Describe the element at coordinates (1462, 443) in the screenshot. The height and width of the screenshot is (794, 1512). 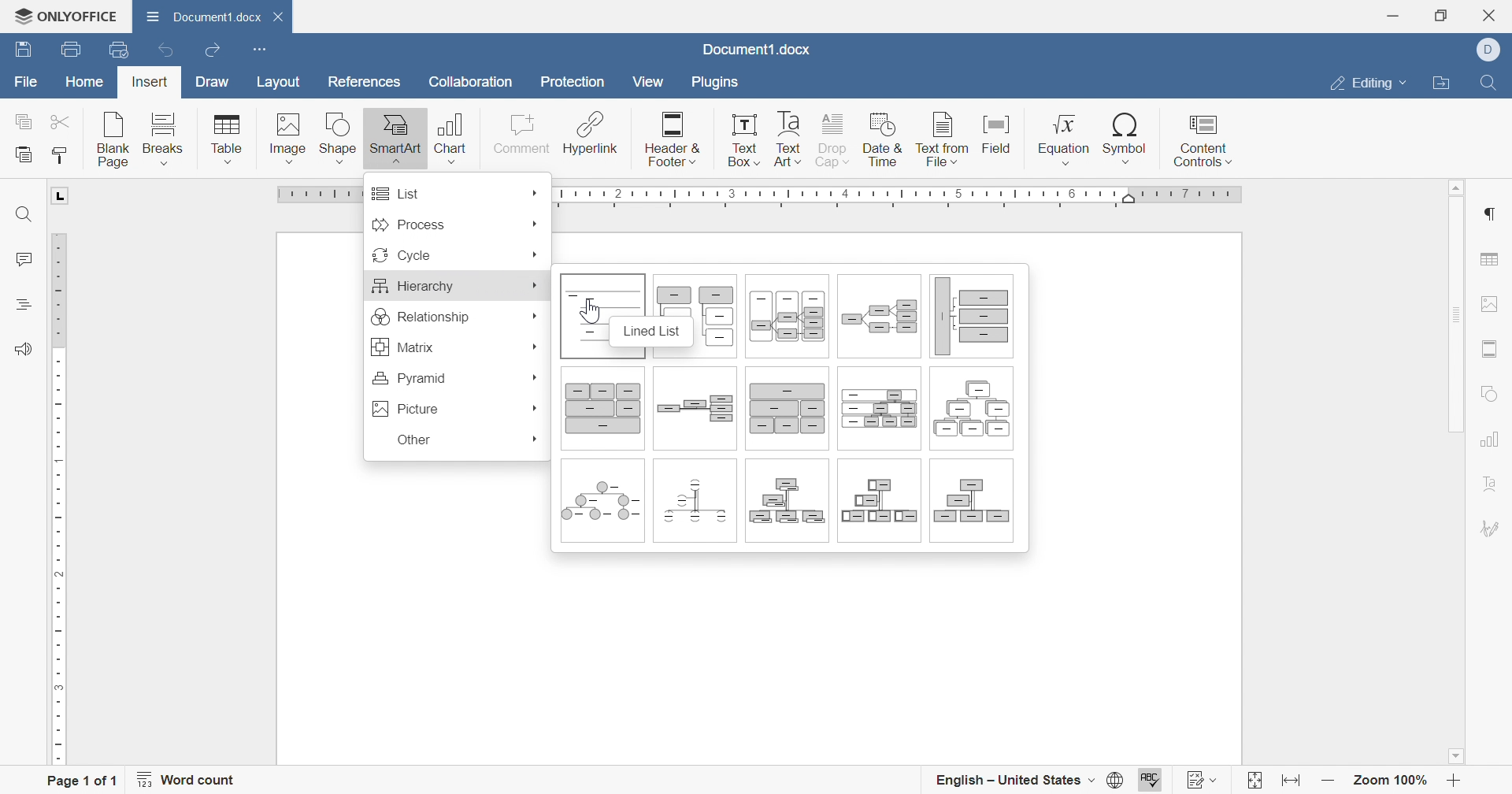
I see `Scroll bar` at that location.